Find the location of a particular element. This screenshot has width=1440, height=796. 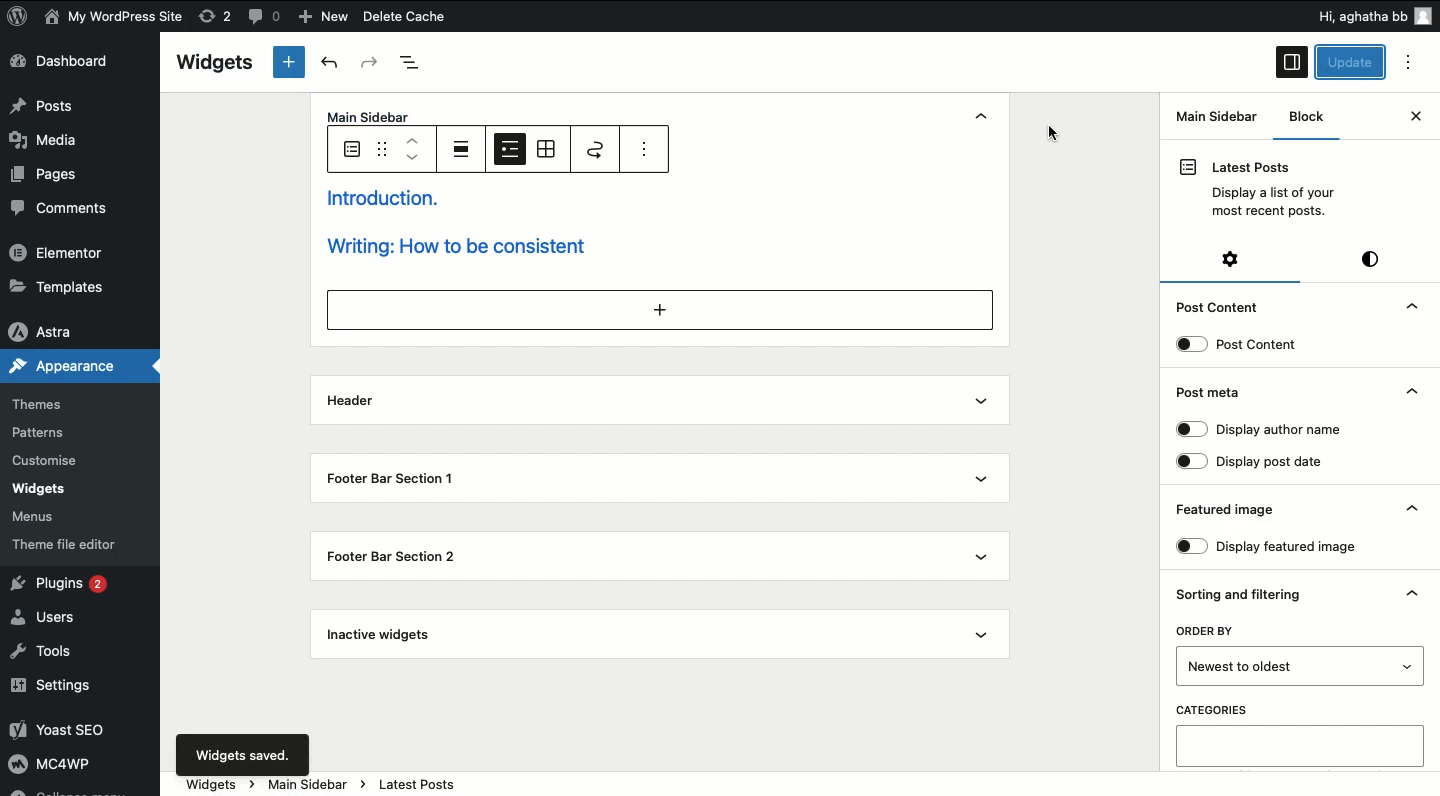

Order by newest to older is located at coordinates (1301, 667).